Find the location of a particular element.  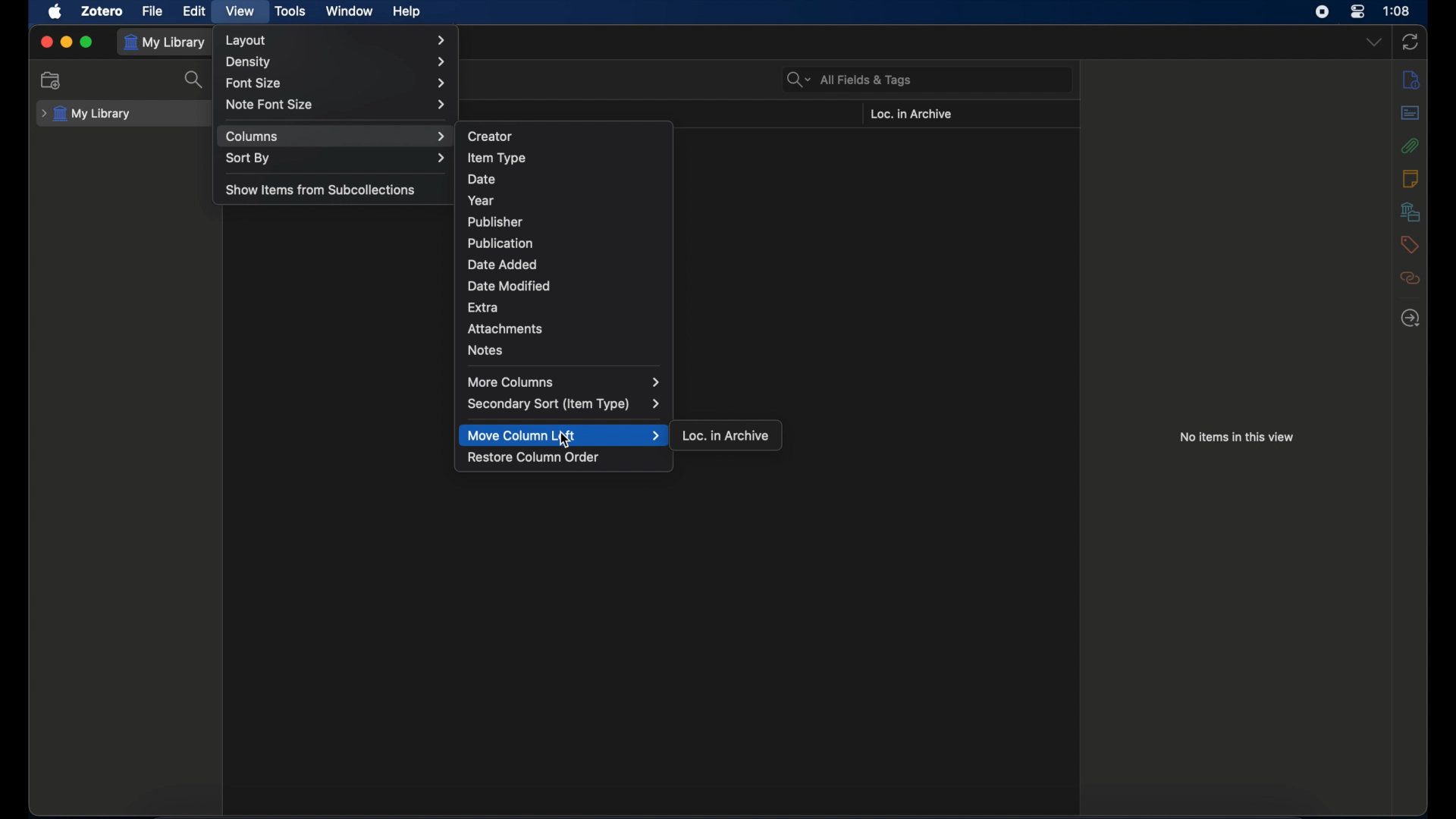

loc. in archive is located at coordinates (727, 436).